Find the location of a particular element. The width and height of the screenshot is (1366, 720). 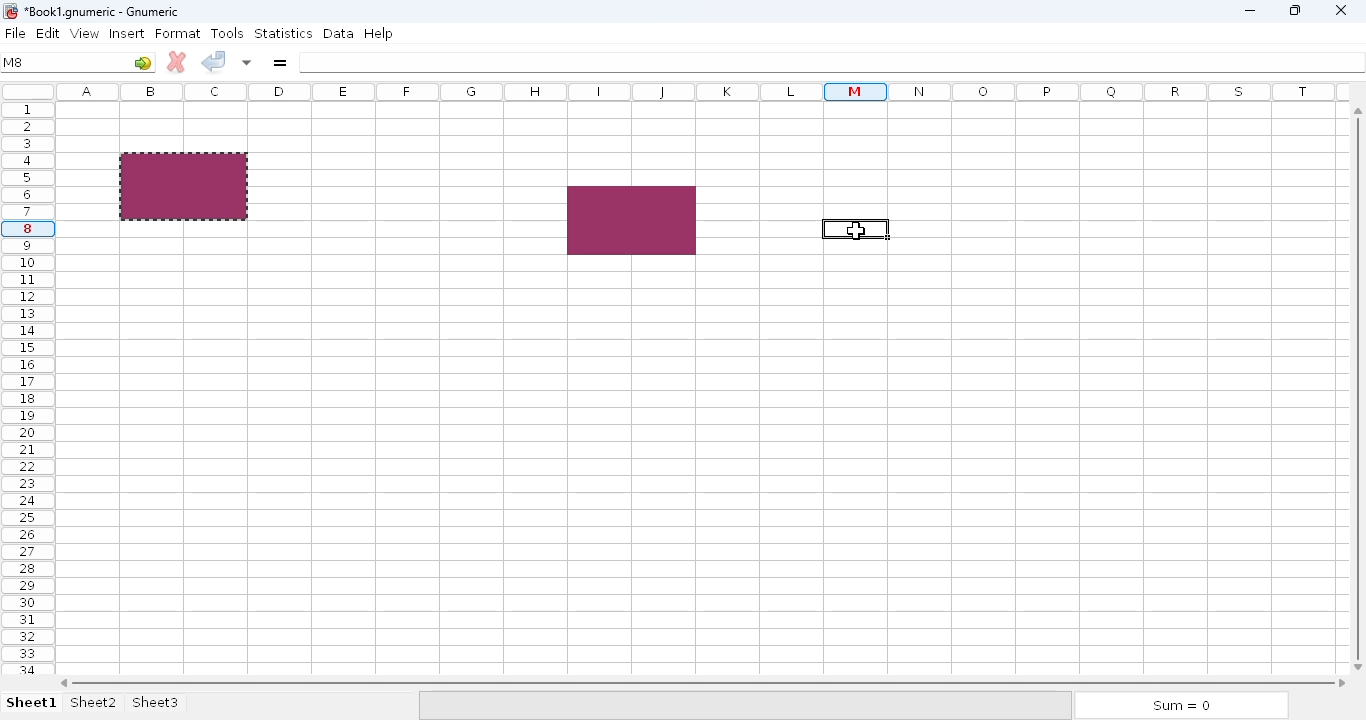

edit is located at coordinates (49, 32).